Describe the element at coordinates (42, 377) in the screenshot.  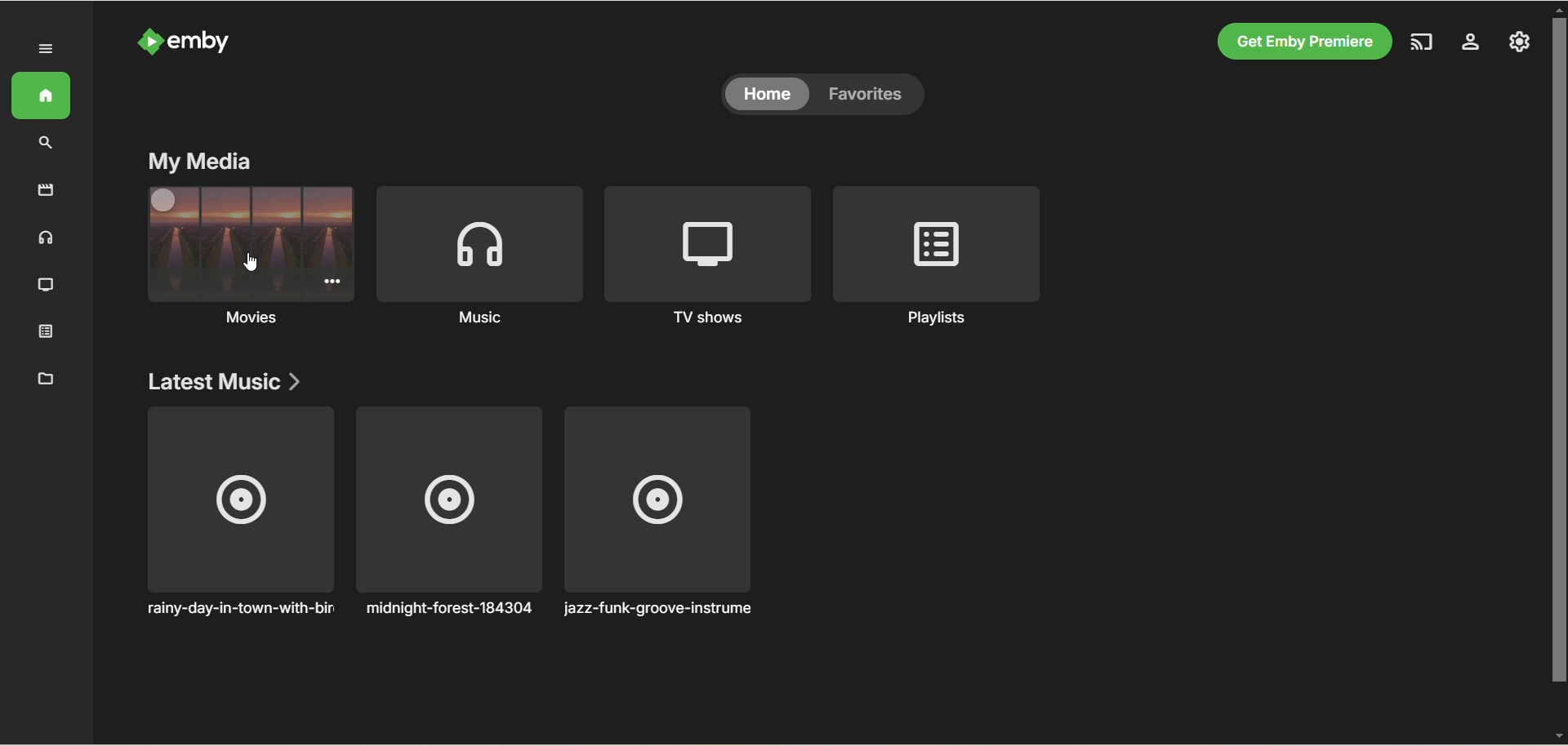
I see `metadata manager` at that location.